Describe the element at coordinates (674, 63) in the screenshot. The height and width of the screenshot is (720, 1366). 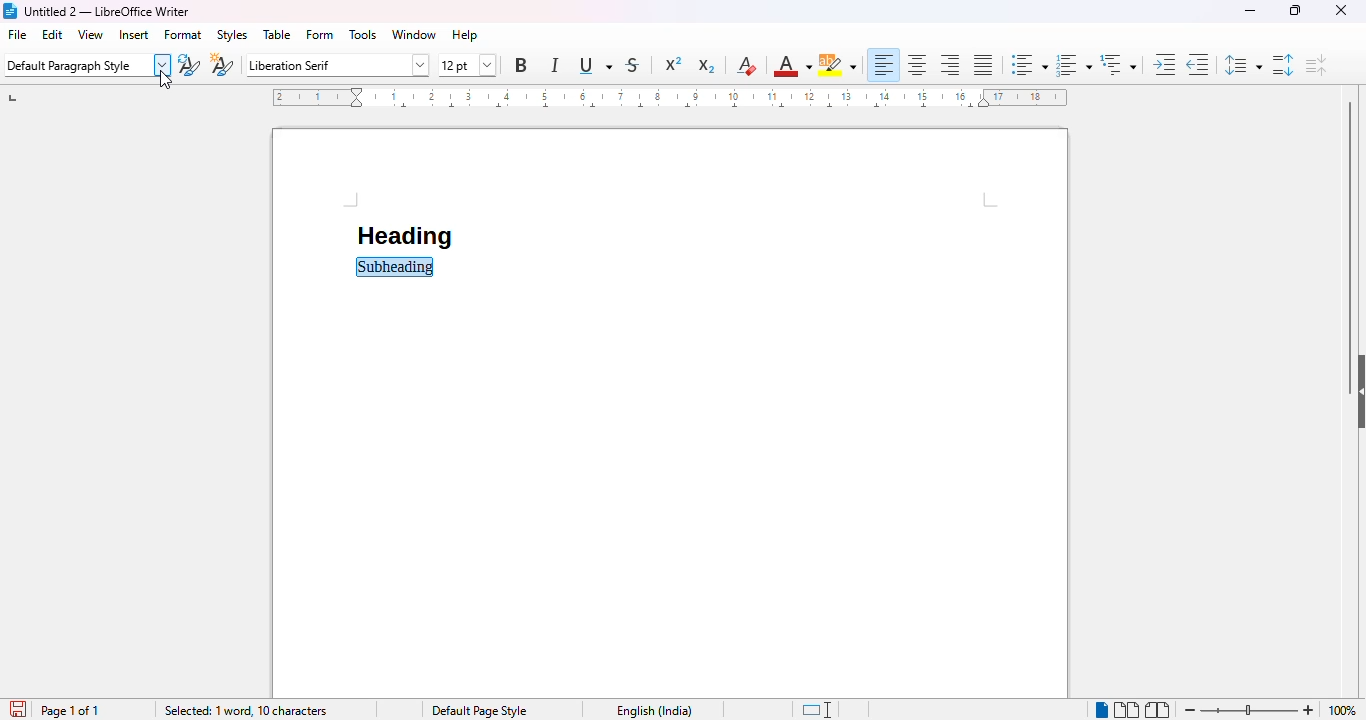
I see `superscript` at that location.